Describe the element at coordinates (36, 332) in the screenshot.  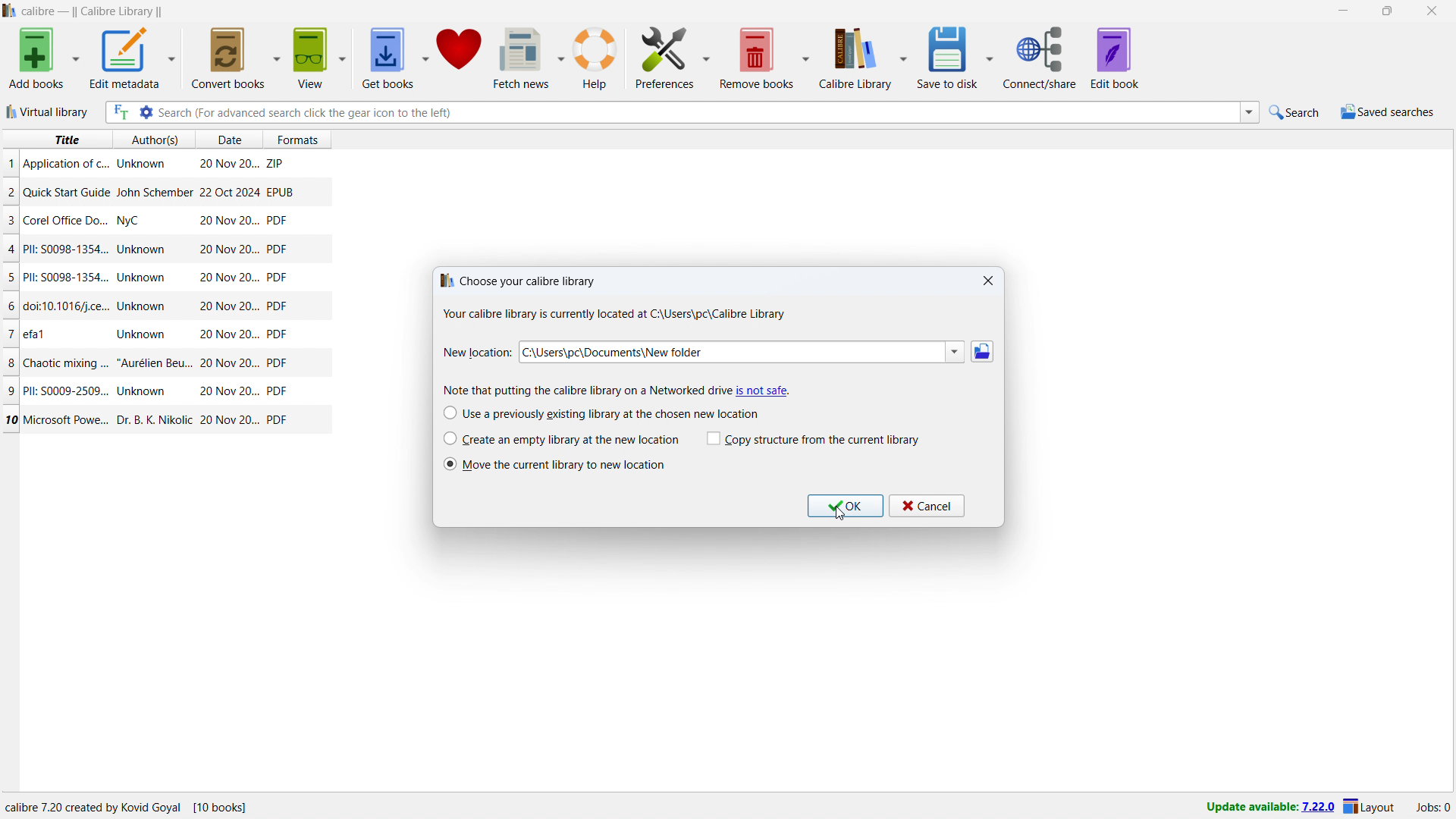
I see `Title` at that location.